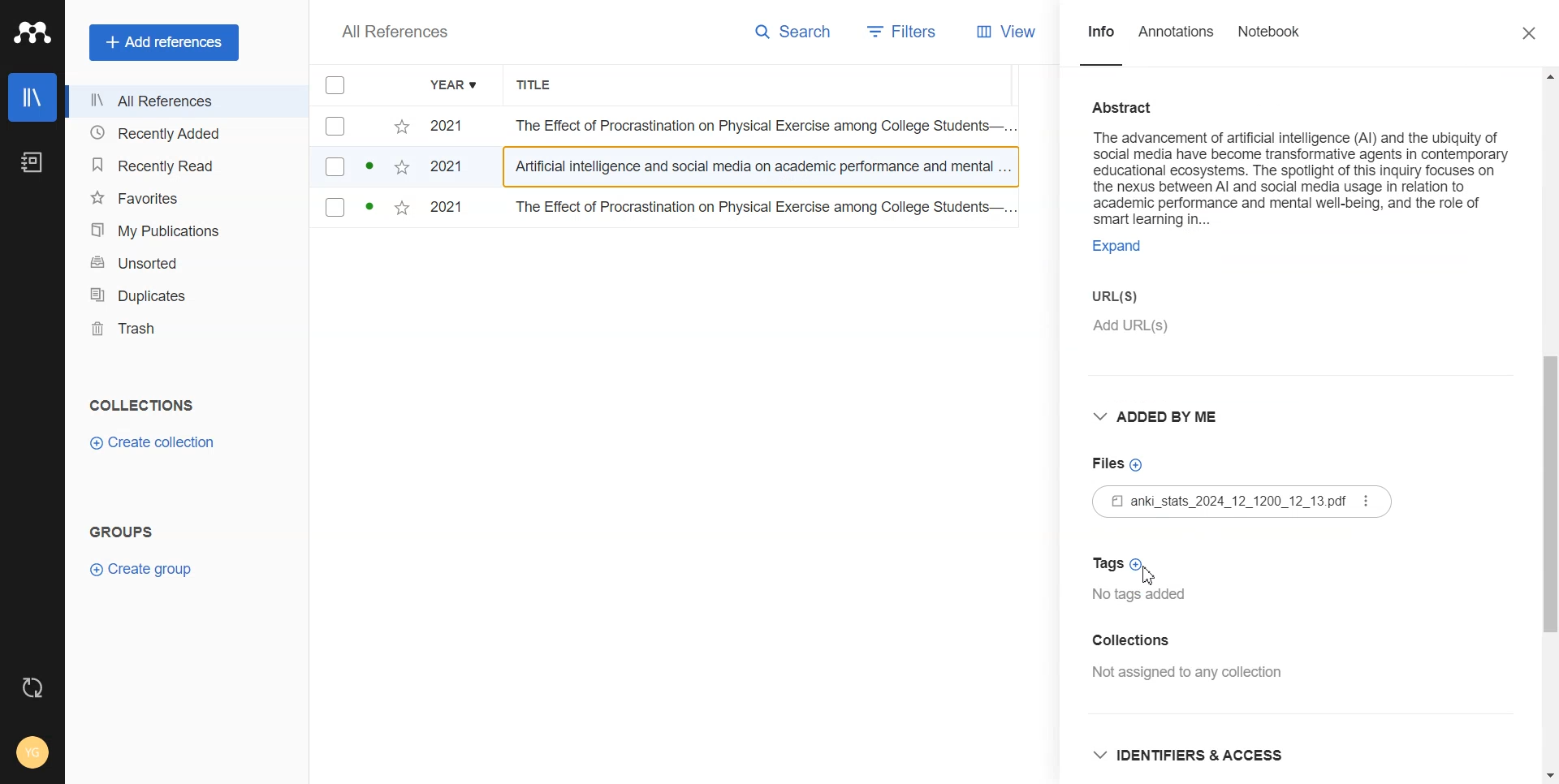 Image resolution: width=1559 pixels, height=784 pixels. I want to click on No tags added, so click(1151, 594).